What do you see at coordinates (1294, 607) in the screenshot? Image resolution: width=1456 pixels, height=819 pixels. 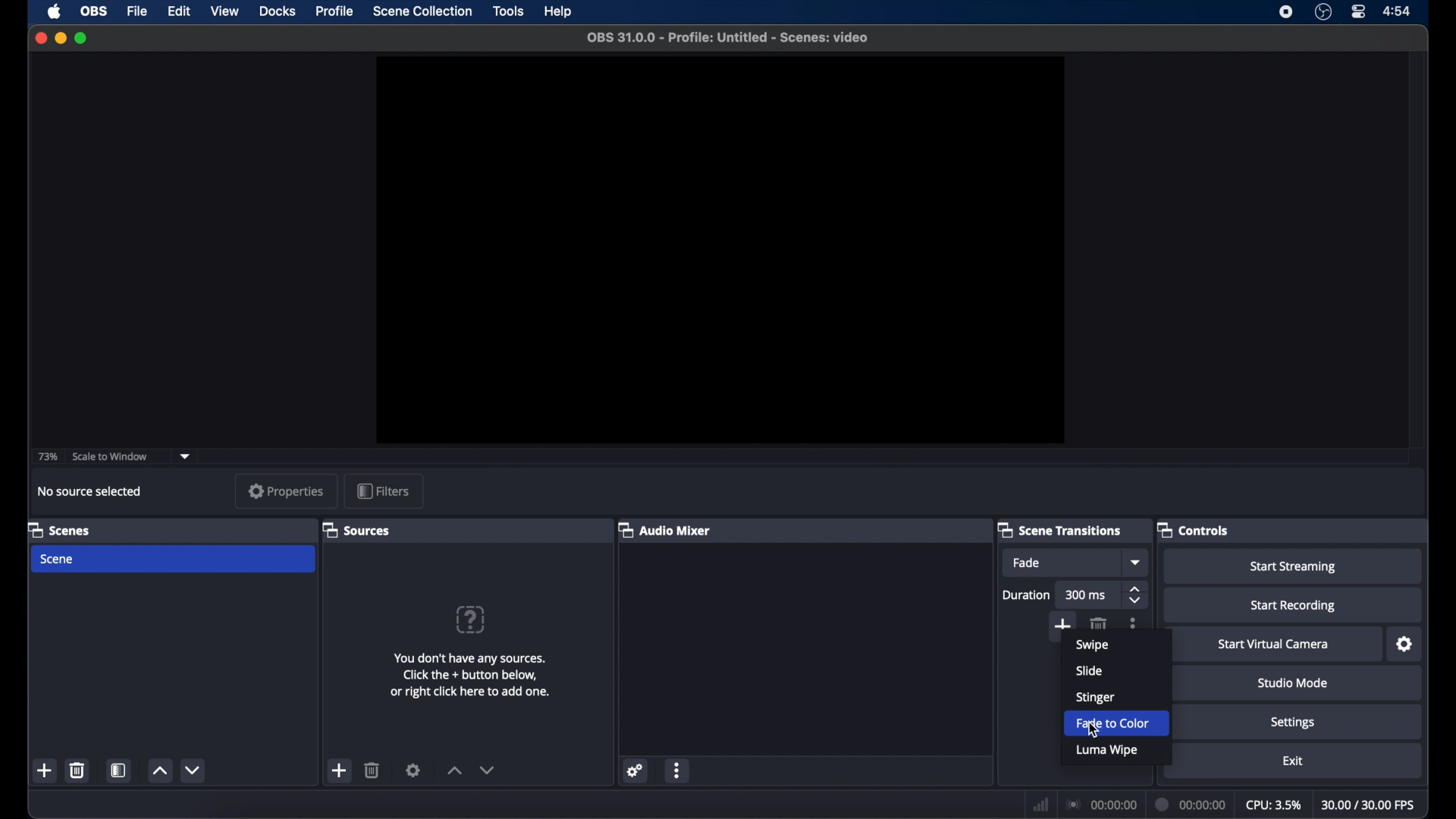 I see `start recording` at bounding box center [1294, 607].